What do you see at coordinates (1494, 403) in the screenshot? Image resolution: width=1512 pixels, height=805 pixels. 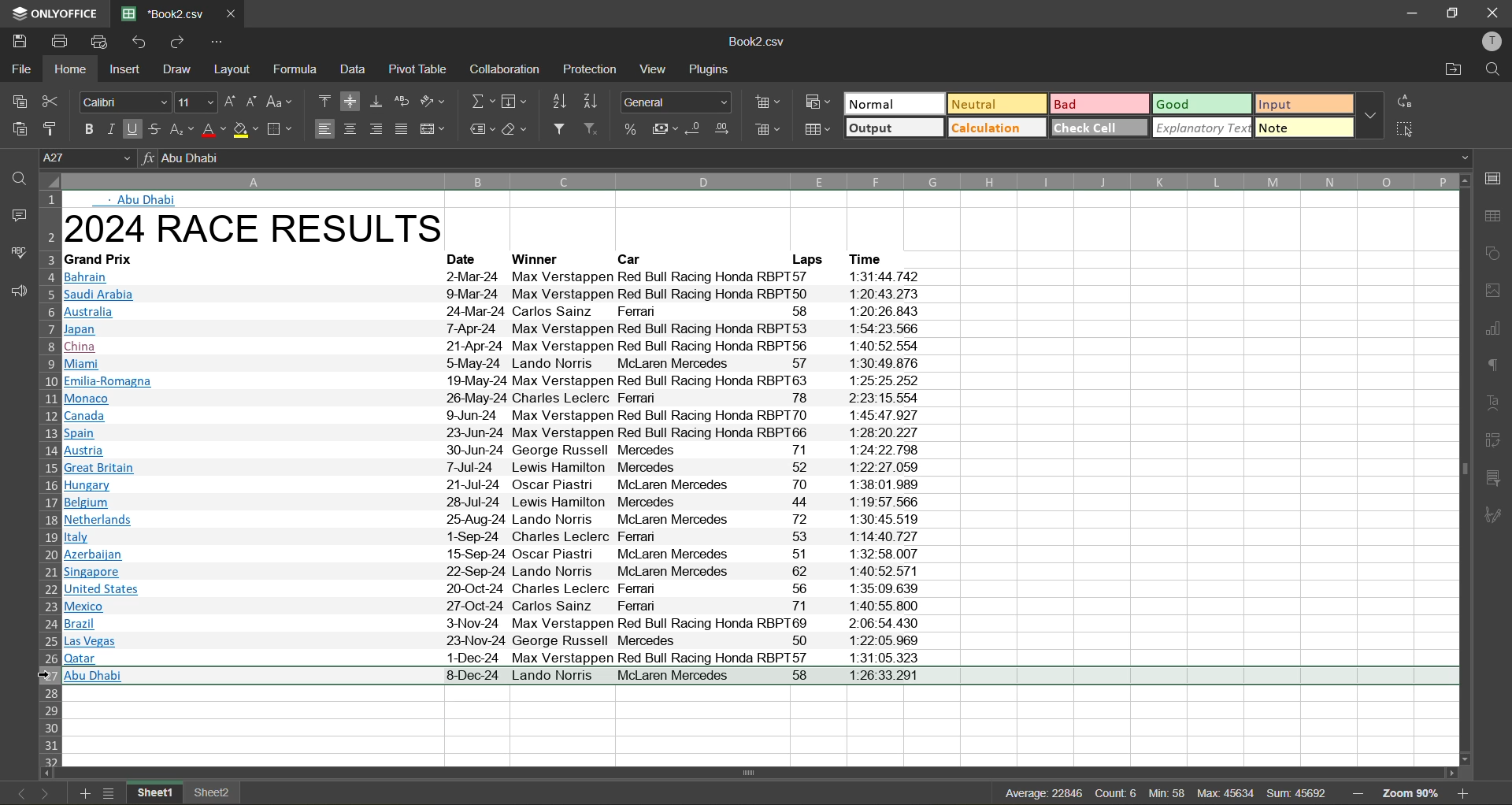 I see `text` at bounding box center [1494, 403].